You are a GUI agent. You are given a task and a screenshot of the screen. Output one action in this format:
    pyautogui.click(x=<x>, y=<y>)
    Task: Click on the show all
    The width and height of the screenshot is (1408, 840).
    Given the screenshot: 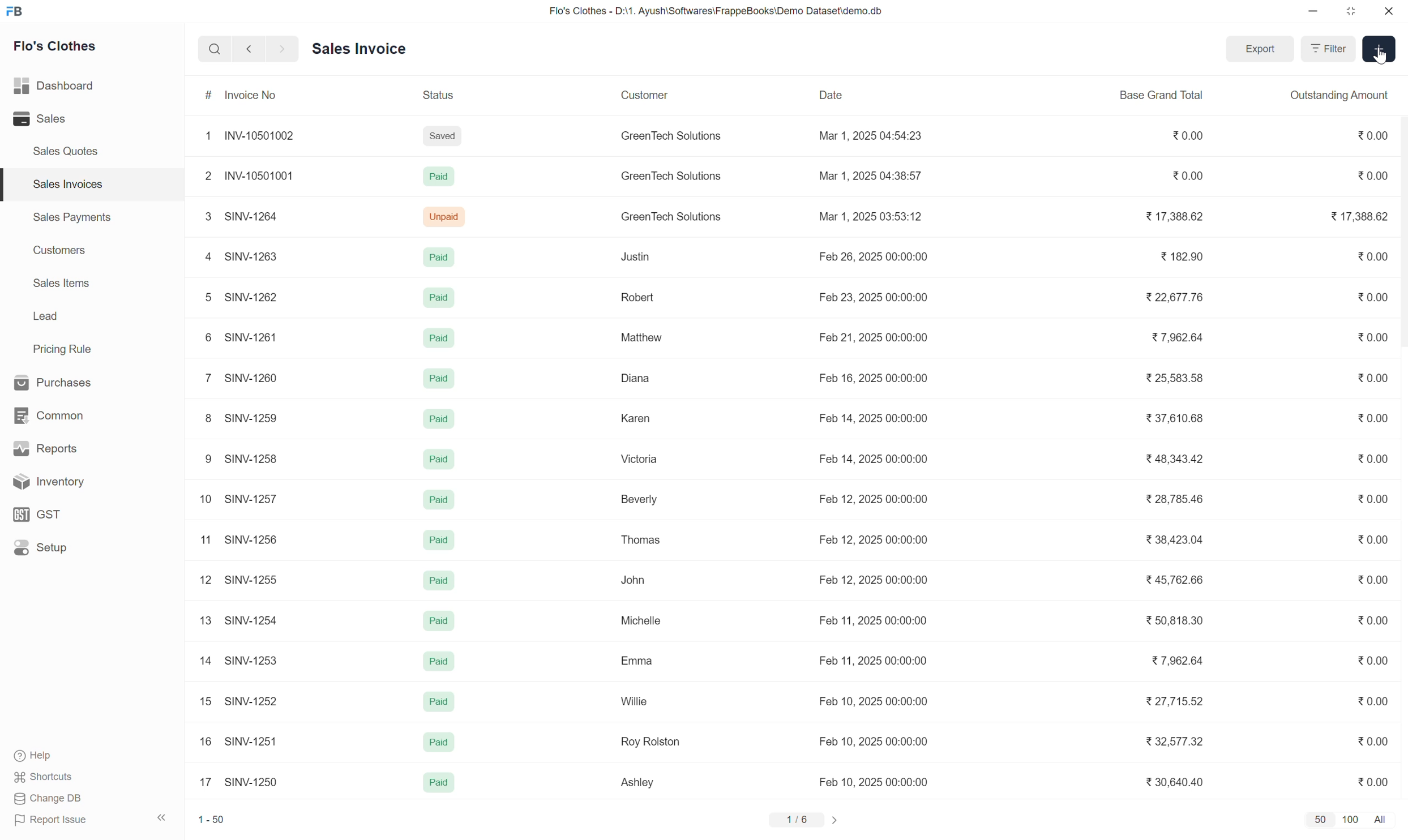 What is the action you would take?
    pyautogui.click(x=1386, y=818)
    